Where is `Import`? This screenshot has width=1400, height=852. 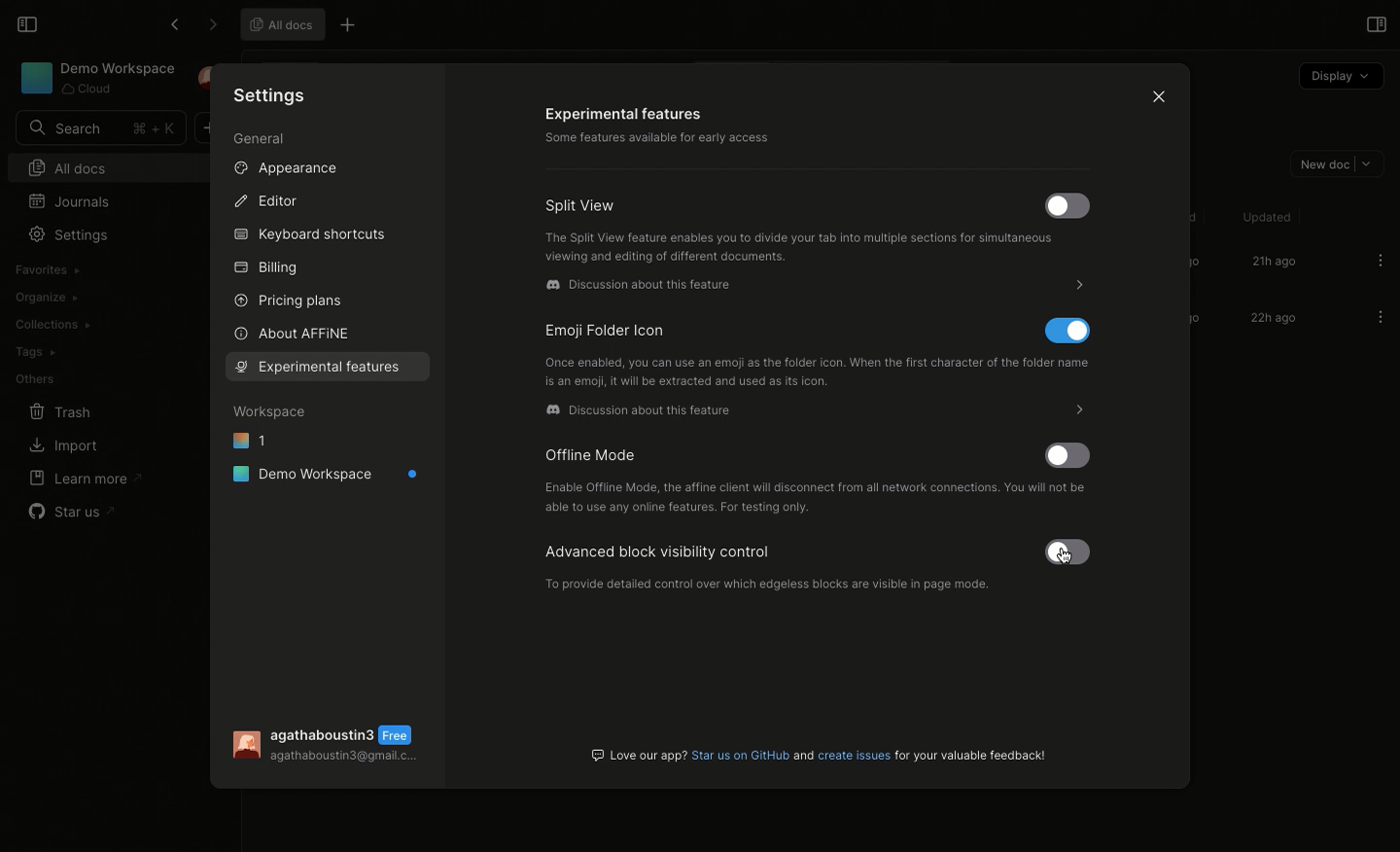 Import is located at coordinates (61, 447).